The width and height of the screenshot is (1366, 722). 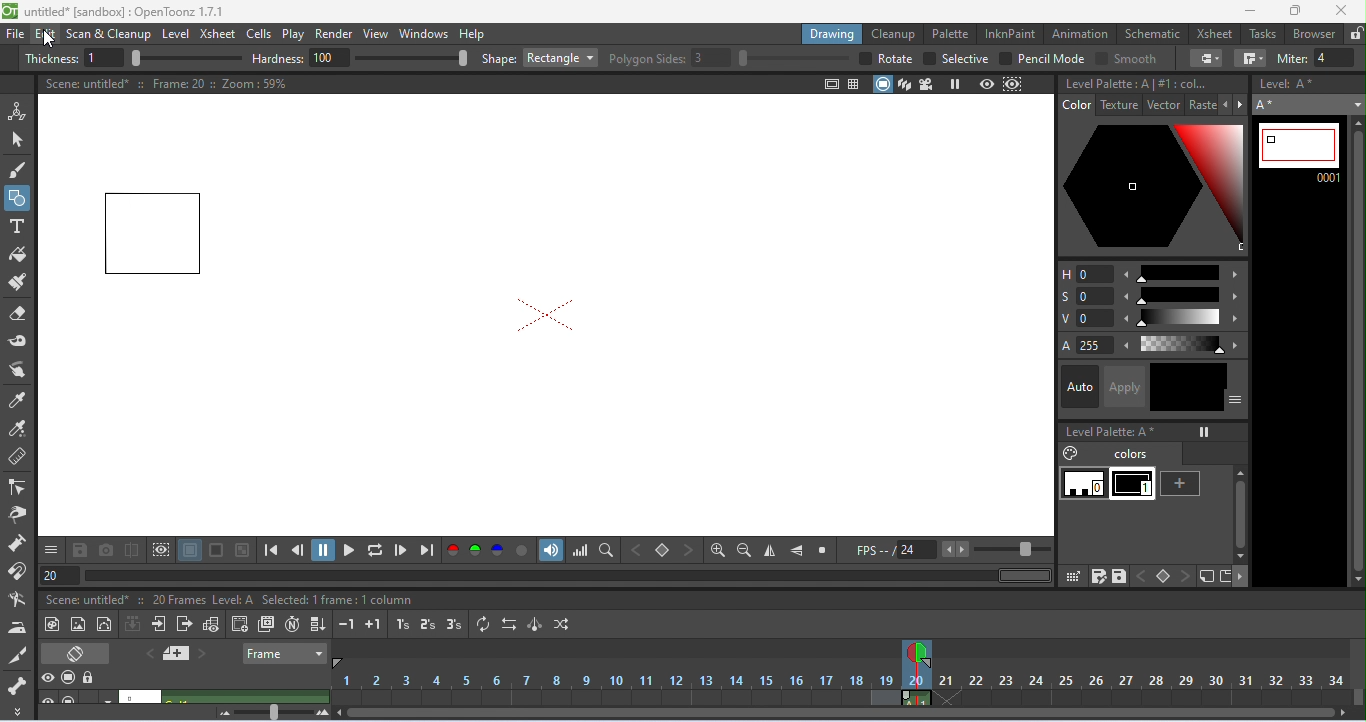 What do you see at coordinates (1080, 387) in the screenshot?
I see `auto` at bounding box center [1080, 387].